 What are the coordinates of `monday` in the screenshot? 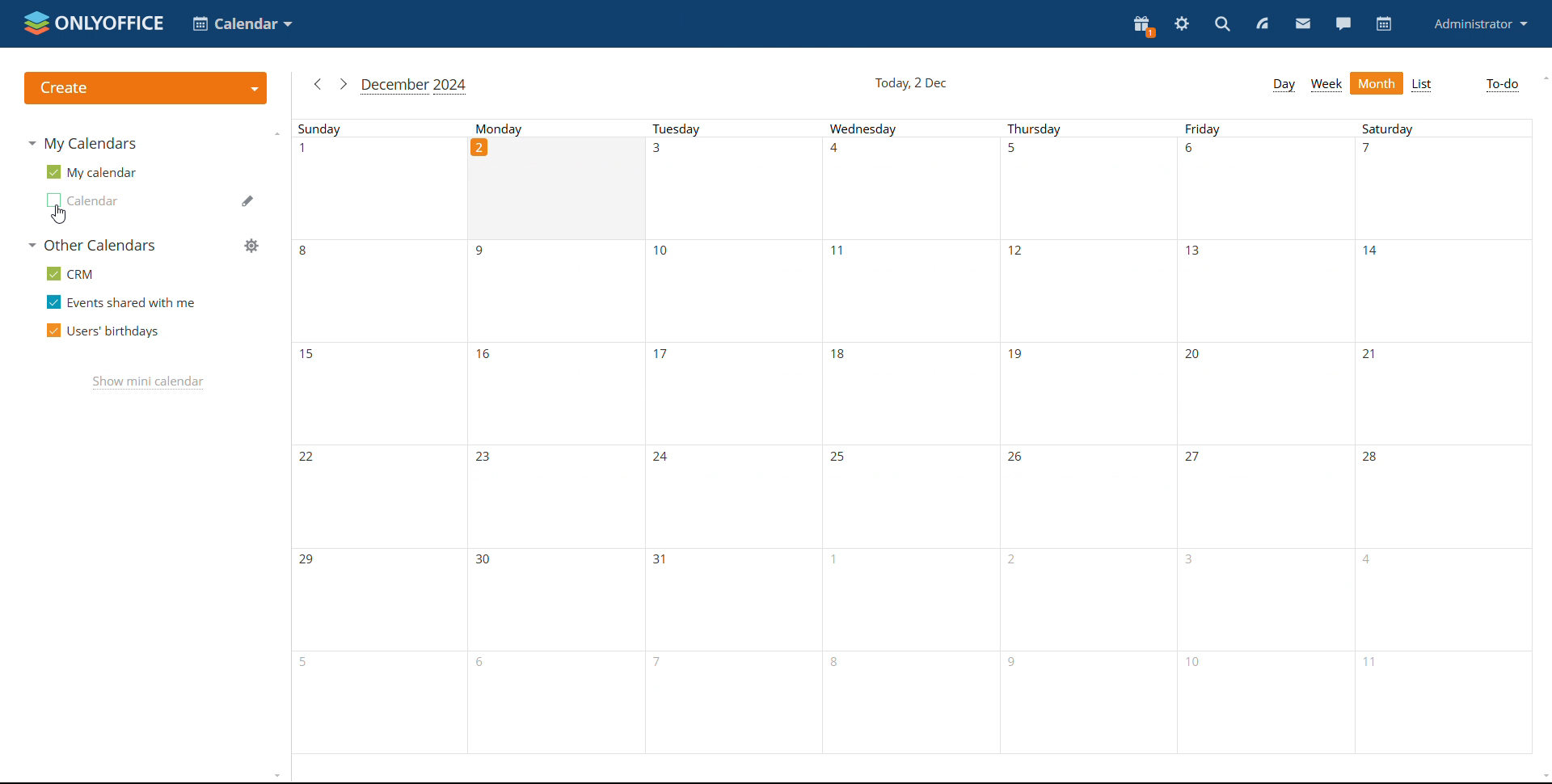 It's located at (561, 127).